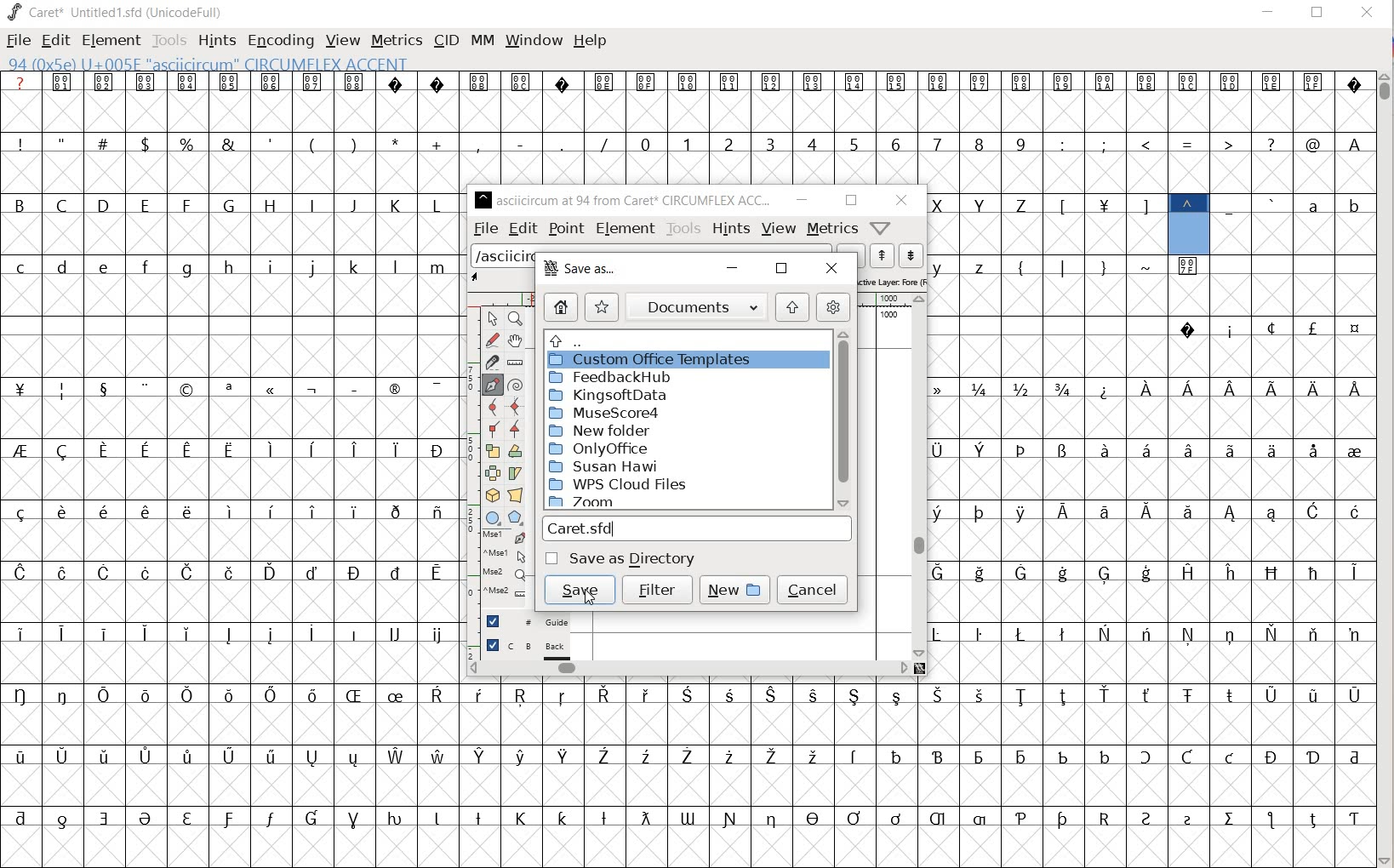  Describe the element at coordinates (781, 269) in the screenshot. I see `restore down` at that location.